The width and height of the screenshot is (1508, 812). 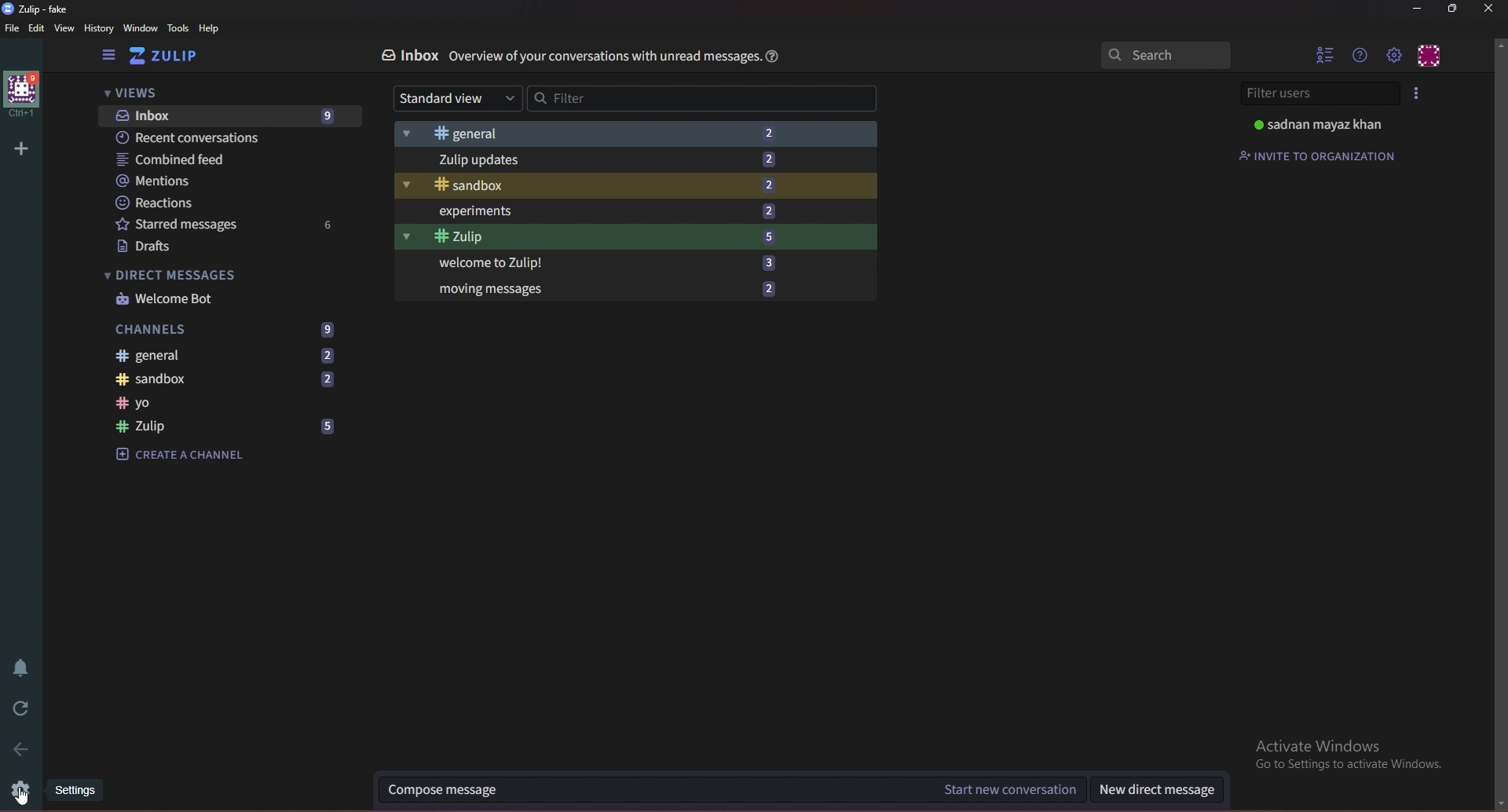 What do you see at coordinates (1488, 9) in the screenshot?
I see `close` at bounding box center [1488, 9].